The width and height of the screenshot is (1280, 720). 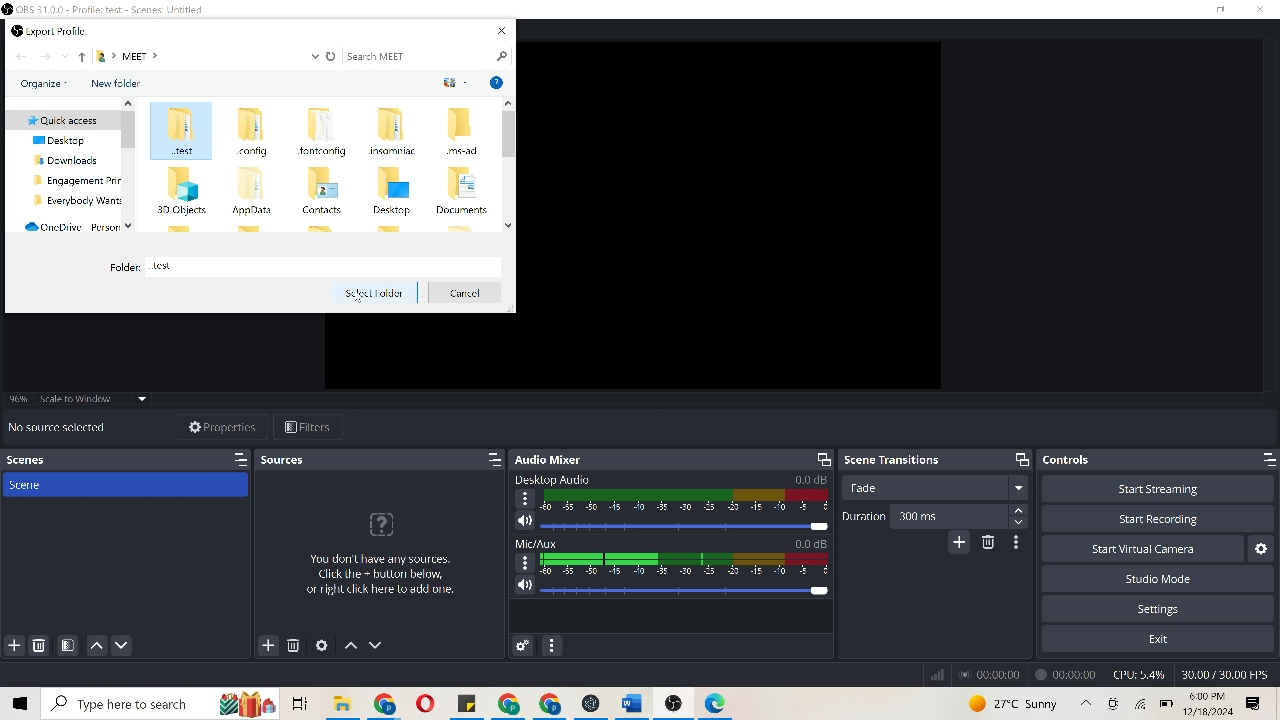 I want to click on 96%, so click(x=19, y=395).